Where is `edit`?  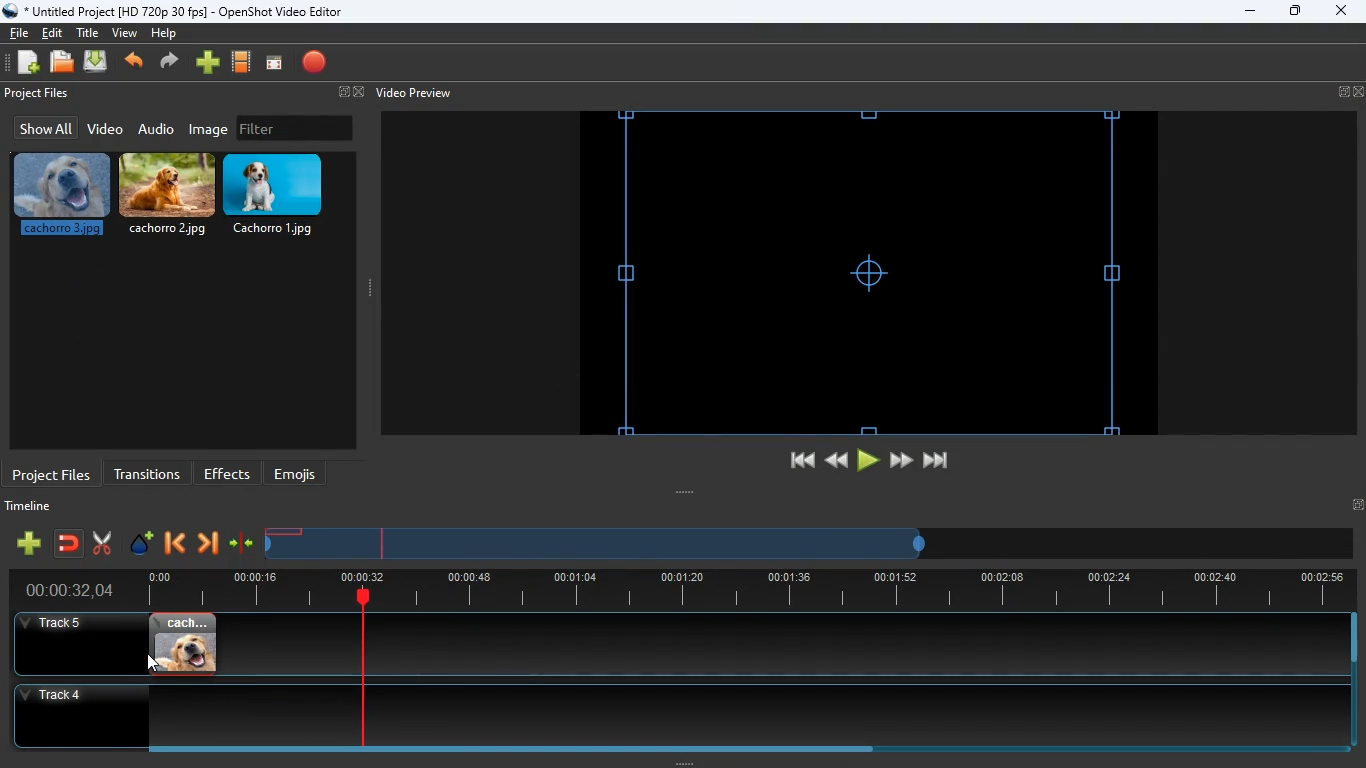
edit is located at coordinates (55, 33).